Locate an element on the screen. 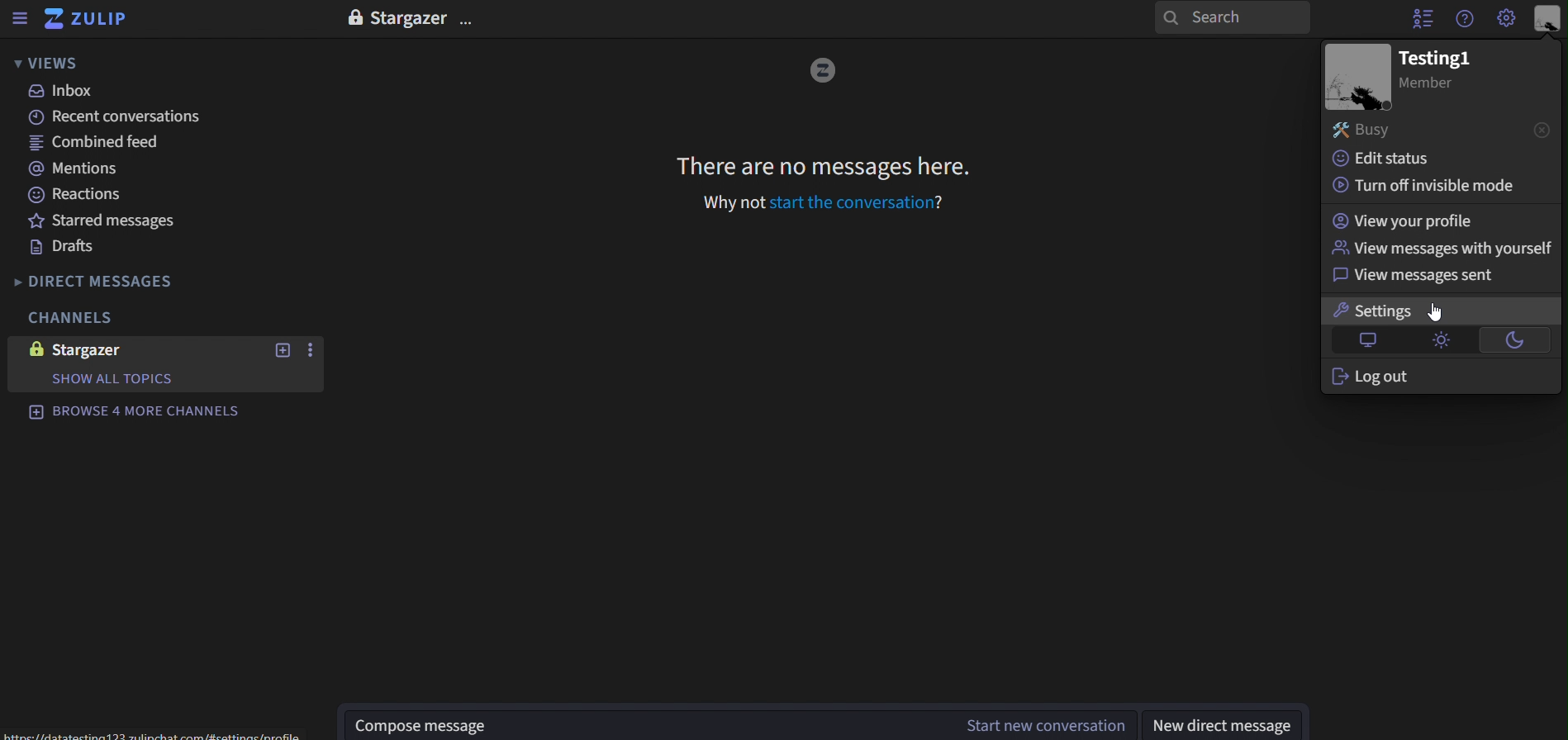  settings is located at coordinates (1369, 310).